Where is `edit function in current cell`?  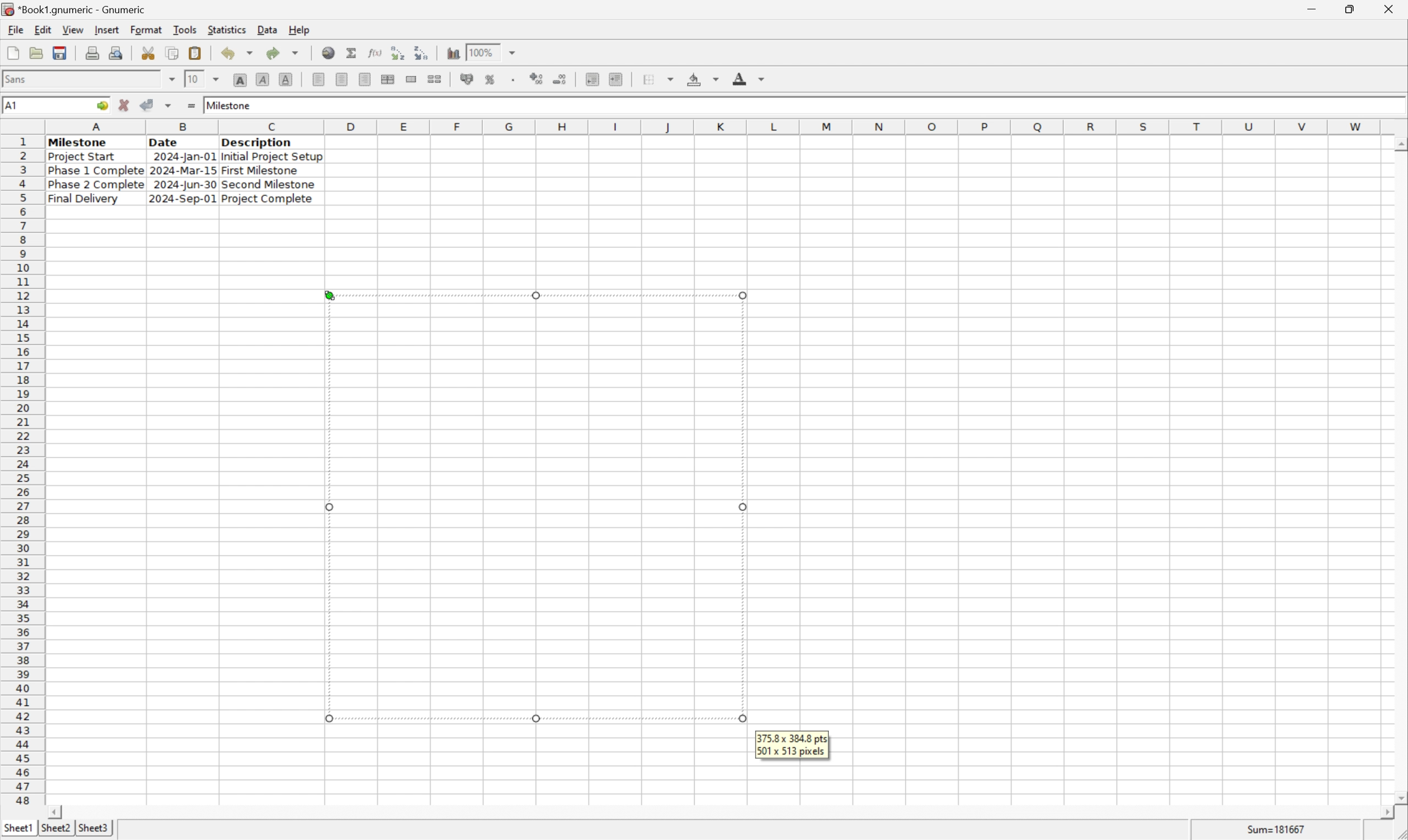 edit function in current cell is located at coordinates (374, 52).